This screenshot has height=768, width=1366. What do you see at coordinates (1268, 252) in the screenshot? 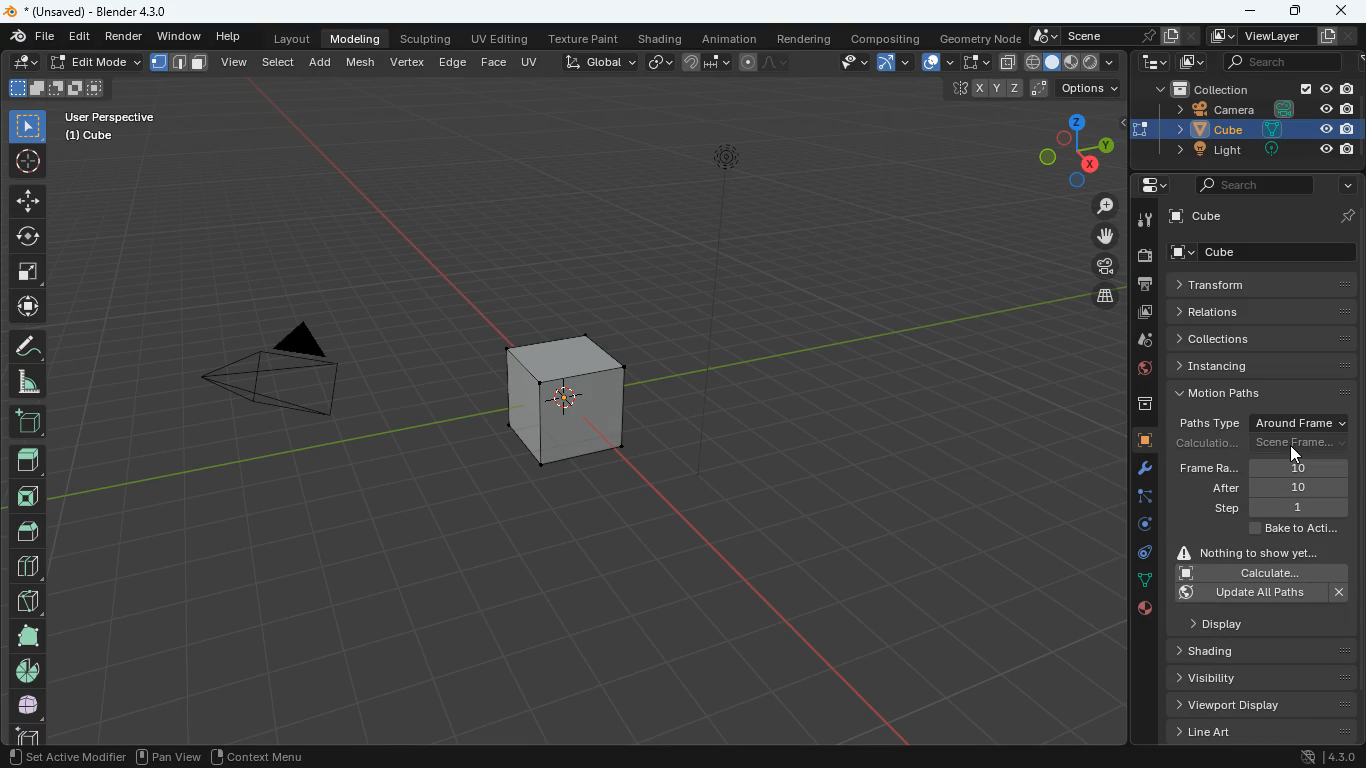
I see `cube` at bounding box center [1268, 252].